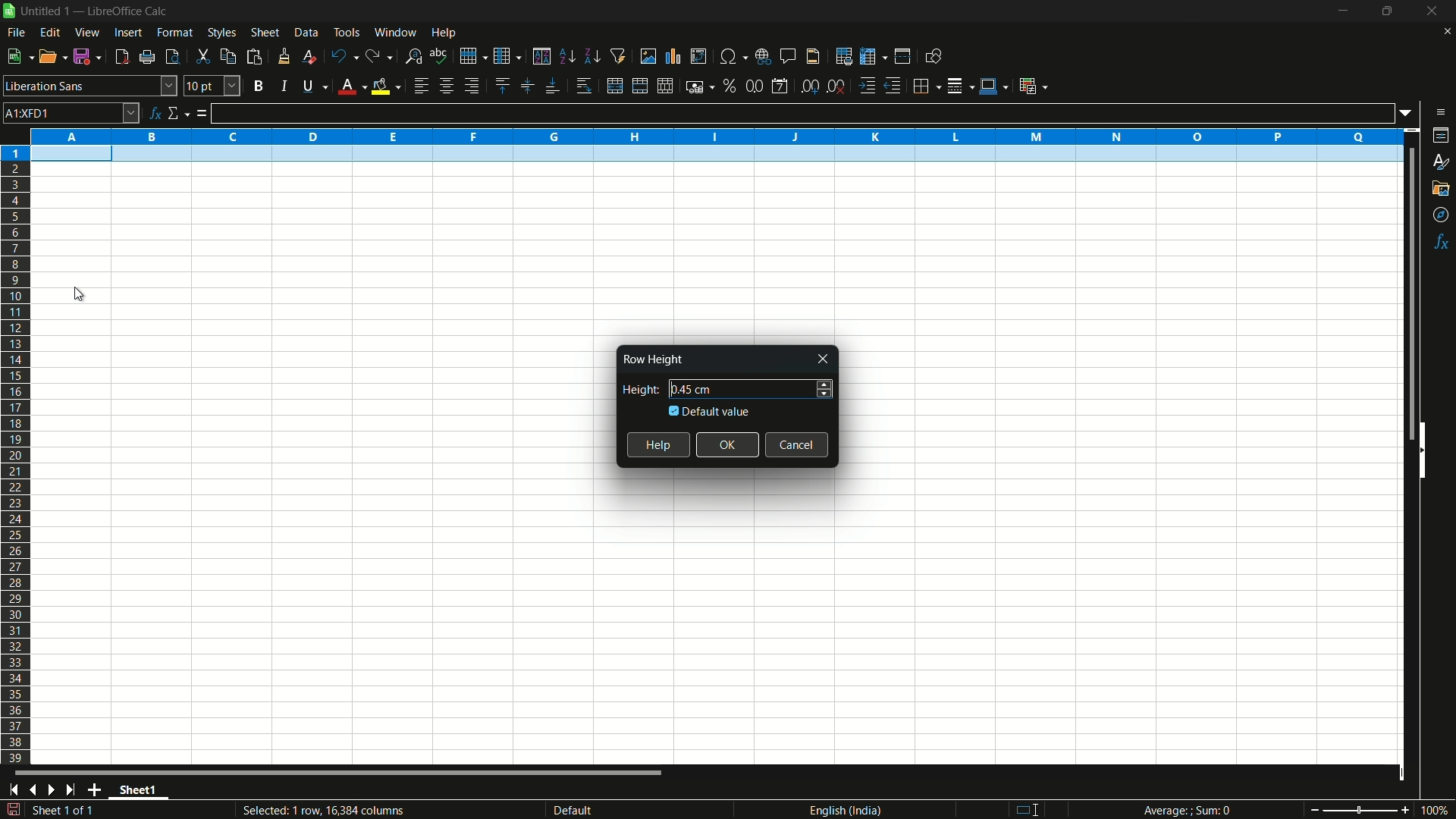  Describe the element at coordinates (155, 113) in the screenshot. I see `function wizard` at that location.